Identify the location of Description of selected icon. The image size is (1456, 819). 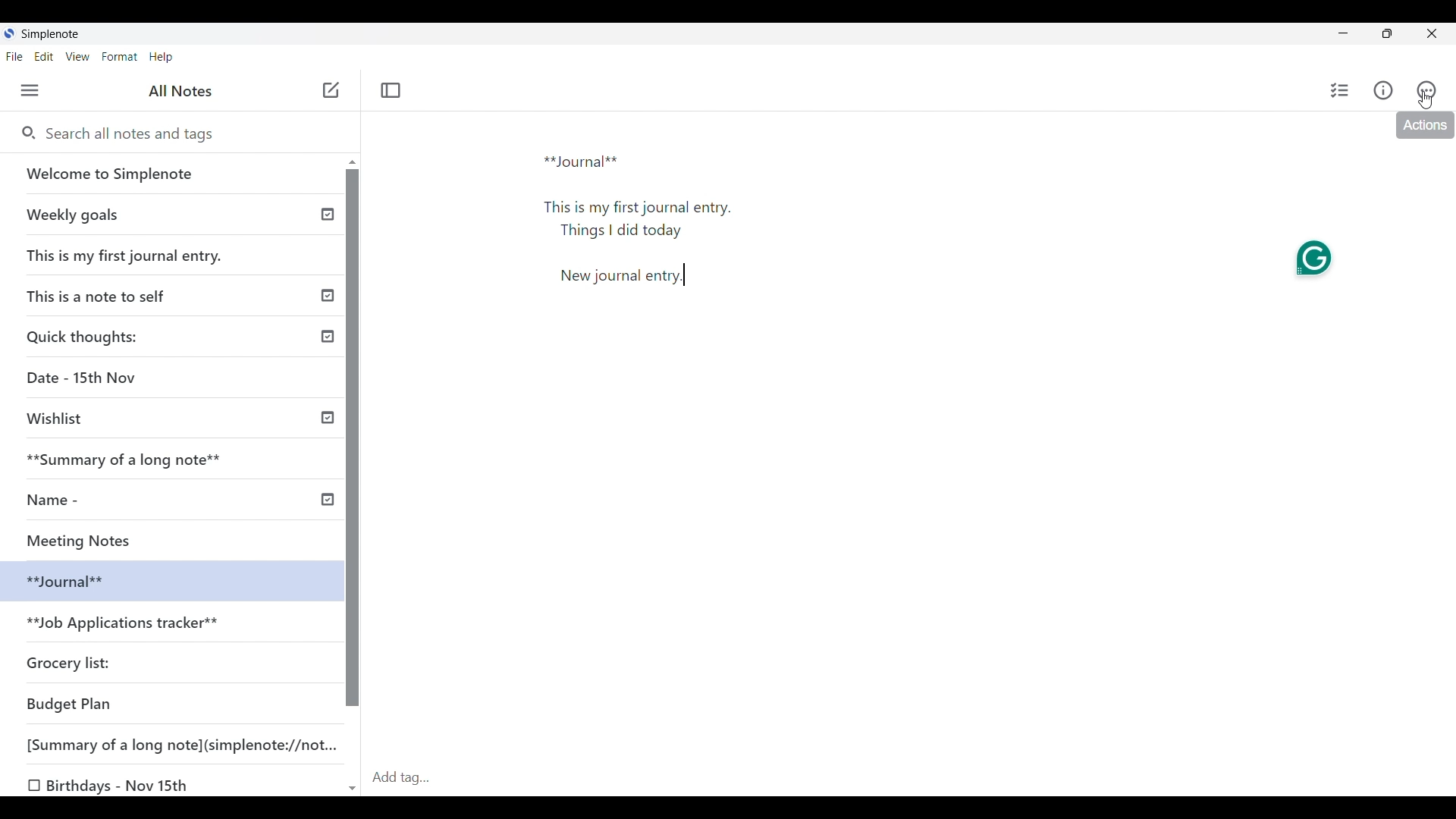
(1425, 125).